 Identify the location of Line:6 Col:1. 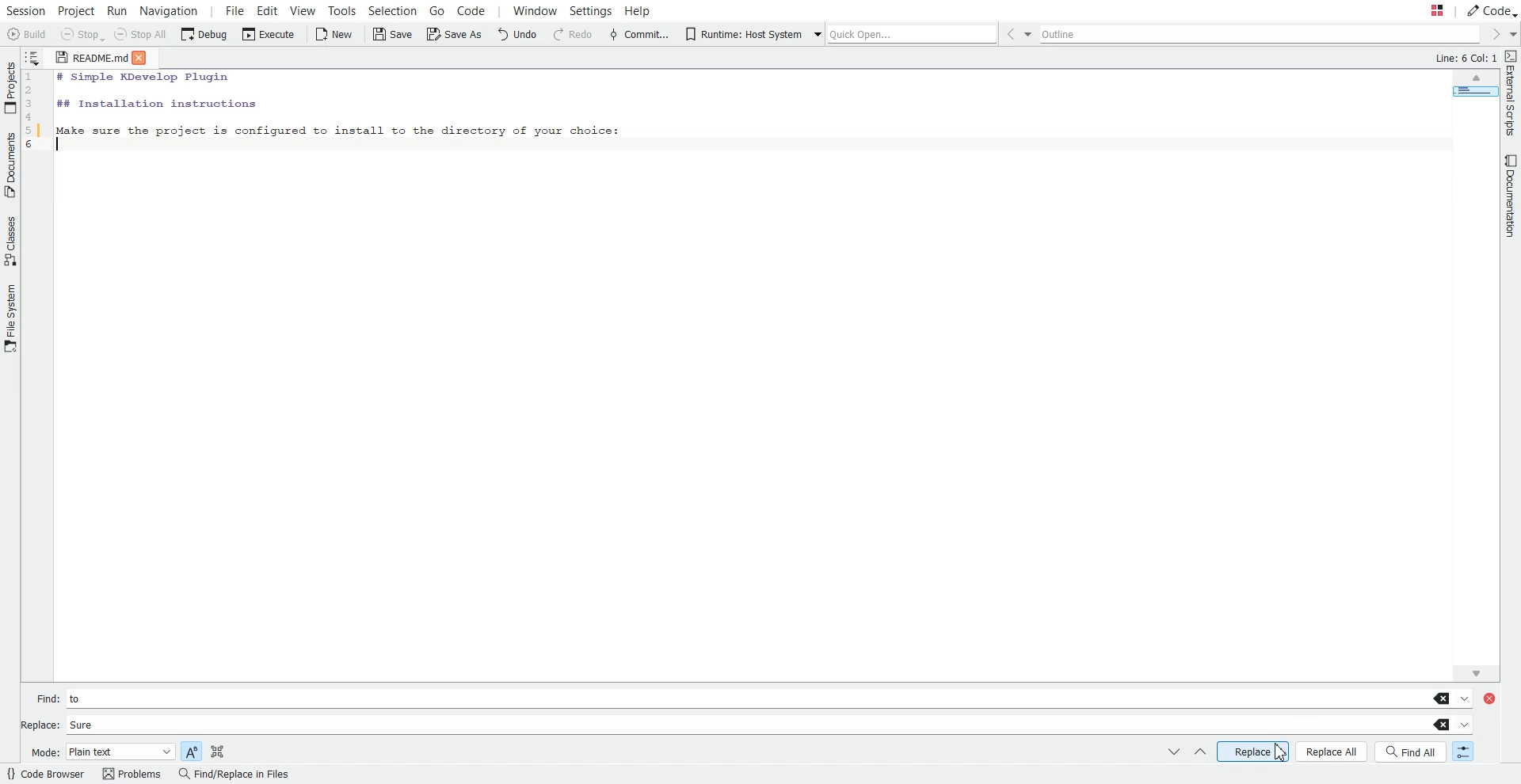
(1463, 59).